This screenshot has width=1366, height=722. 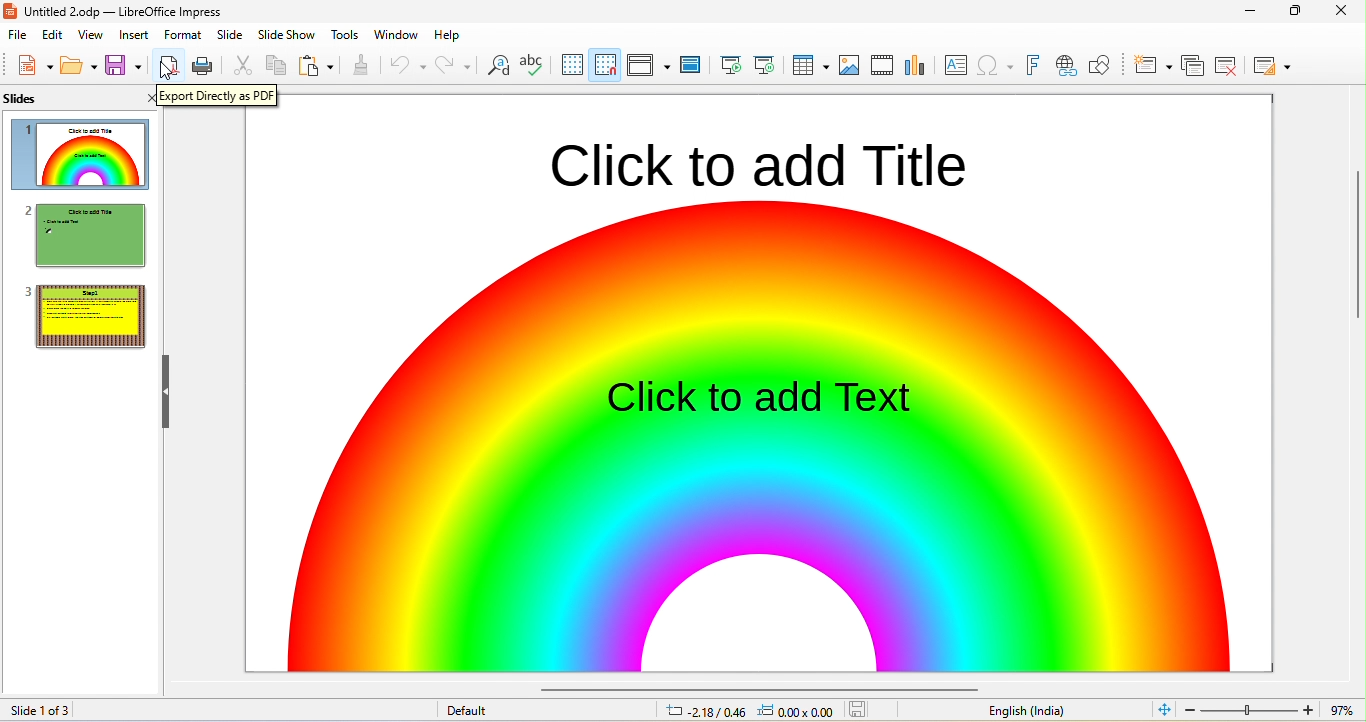 I want to click on logo, so click(x=14, y=10).